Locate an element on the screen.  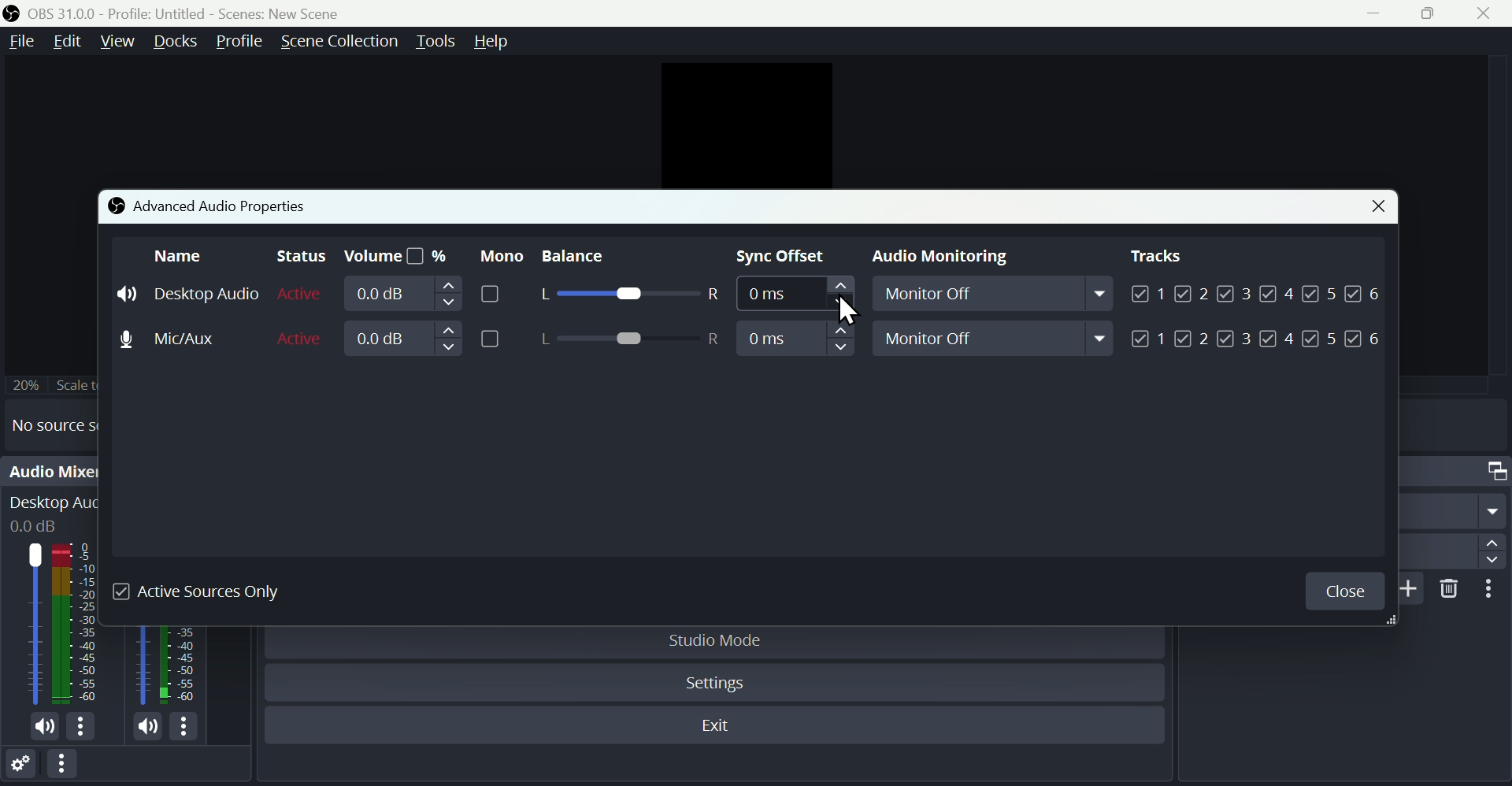
(un)check Track 2 is located at coordinates (1192, 339).